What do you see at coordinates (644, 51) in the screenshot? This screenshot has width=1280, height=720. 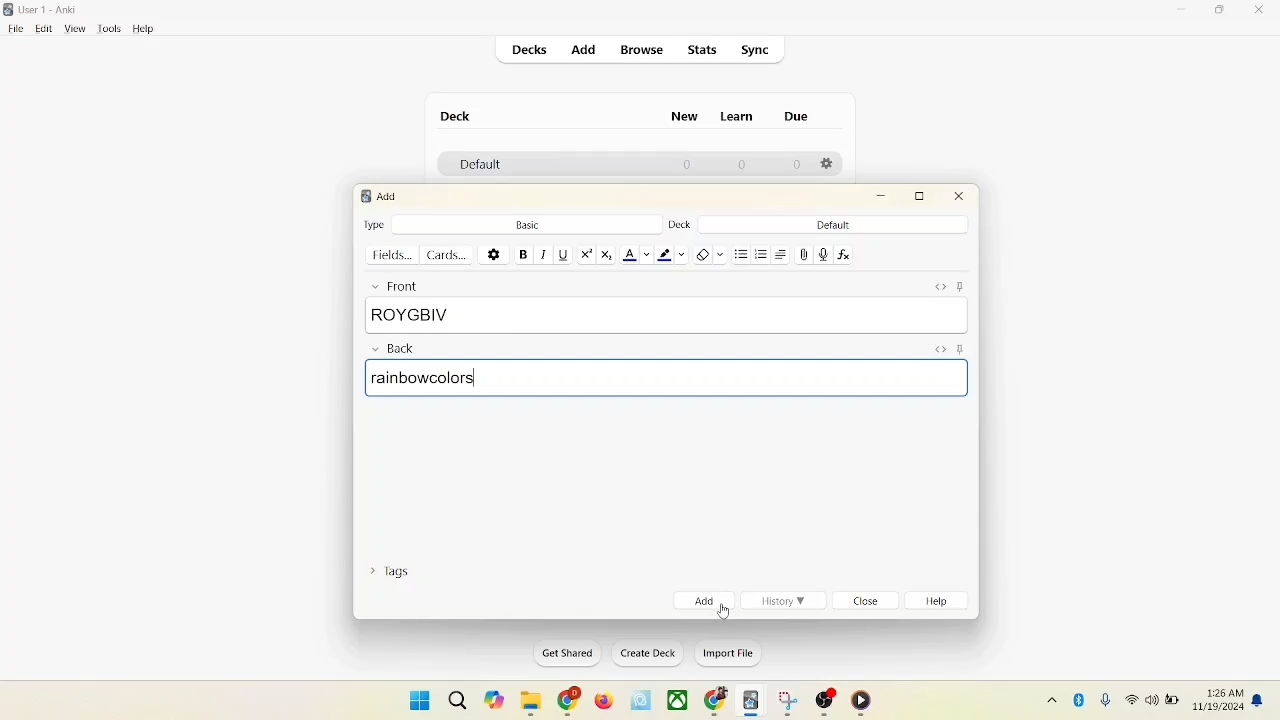 I see `browse` at bounding box center [644, 51].